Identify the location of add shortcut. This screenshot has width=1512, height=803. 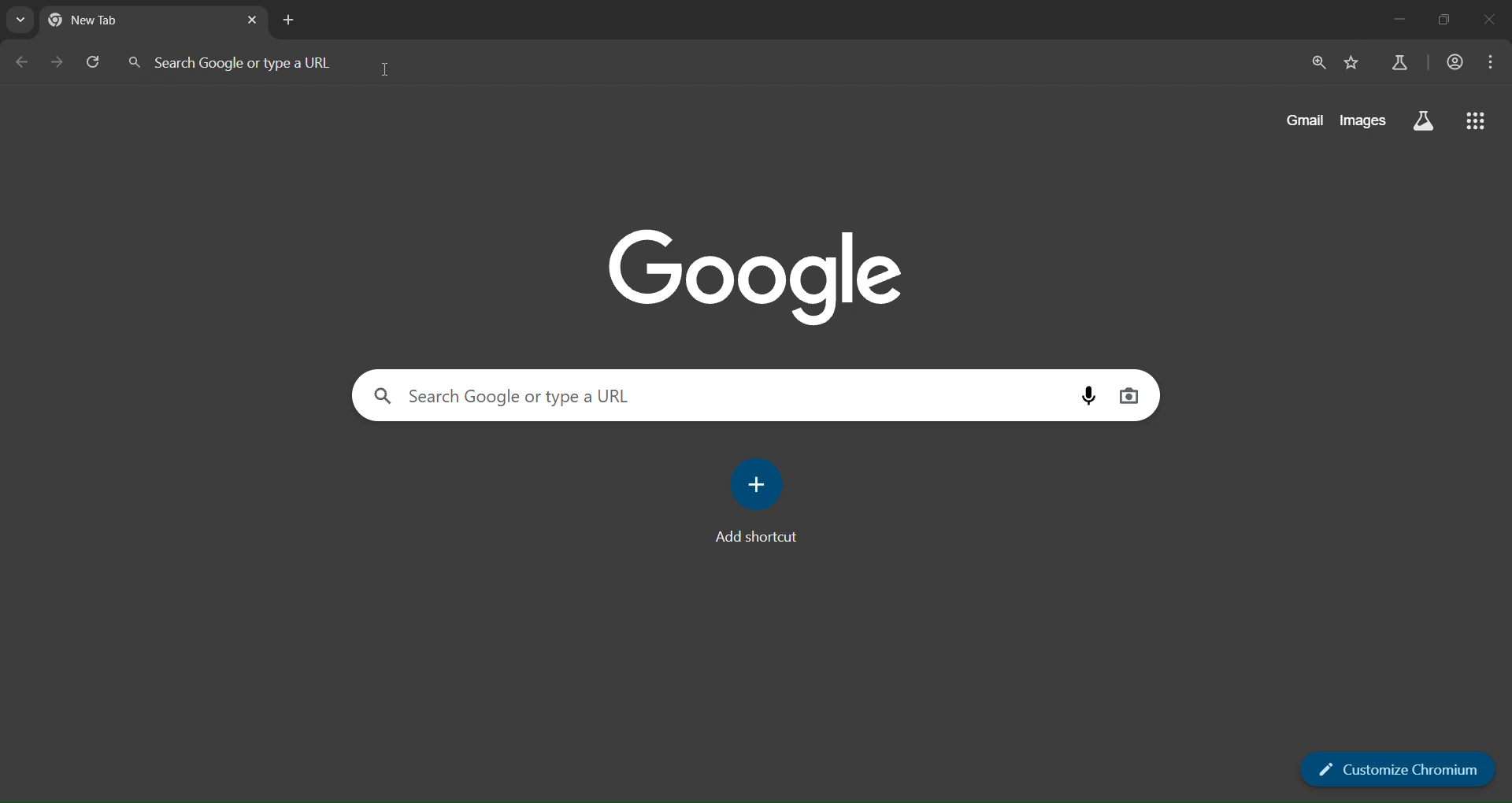
(754, 501).